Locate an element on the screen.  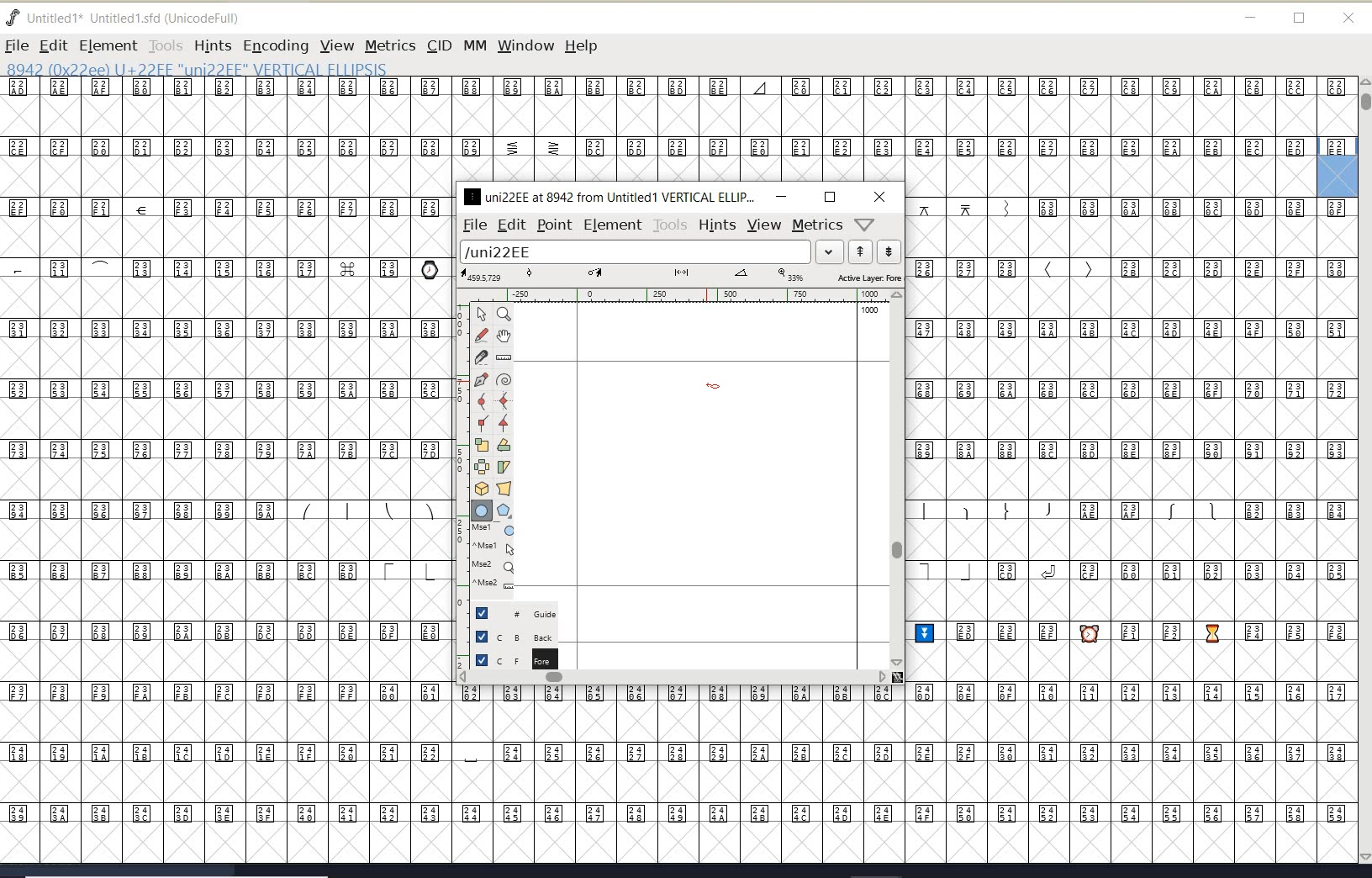
METRICS is located at coordinates (390, 45).